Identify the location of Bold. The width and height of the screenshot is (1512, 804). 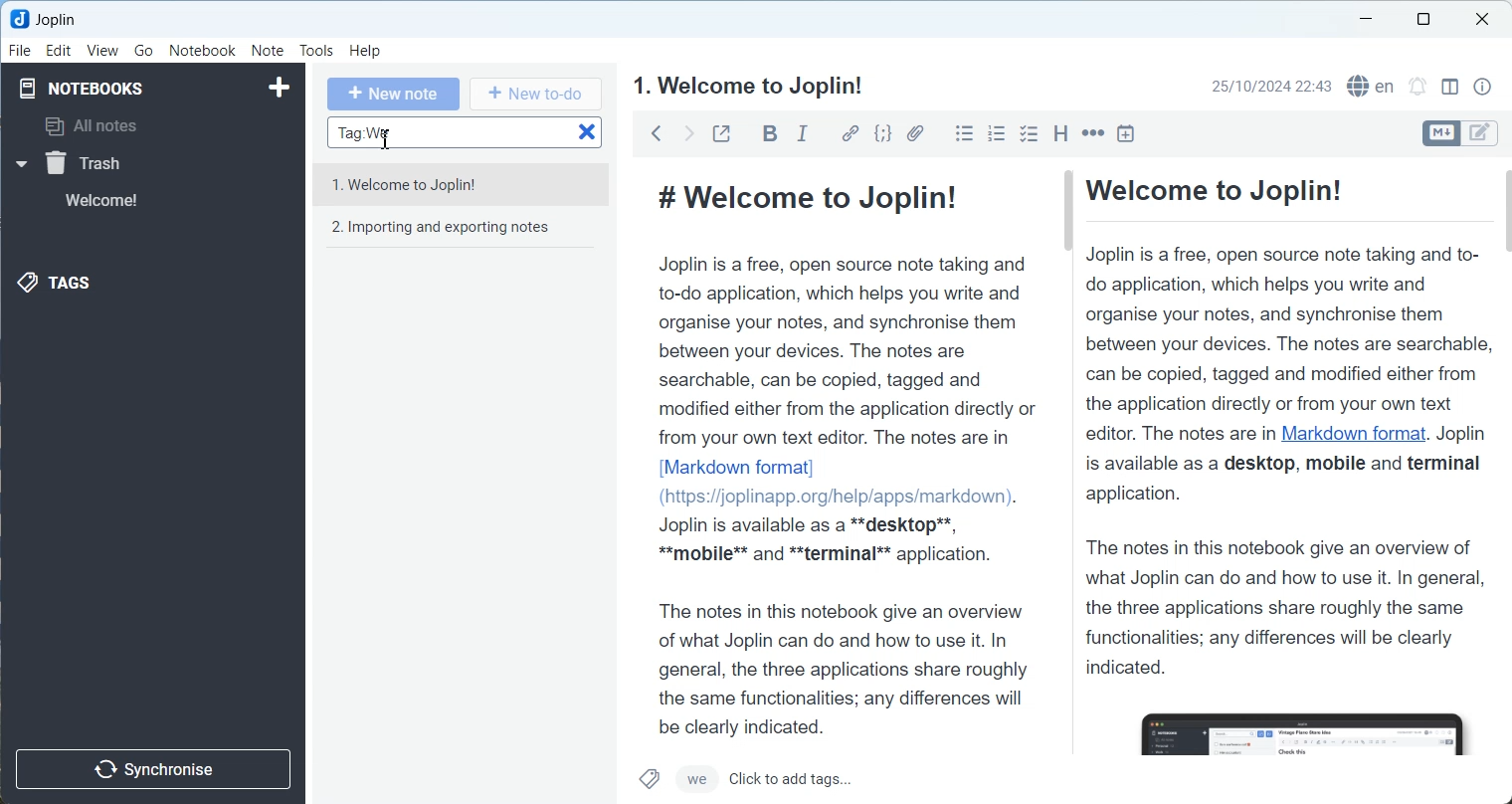
(768, 133).